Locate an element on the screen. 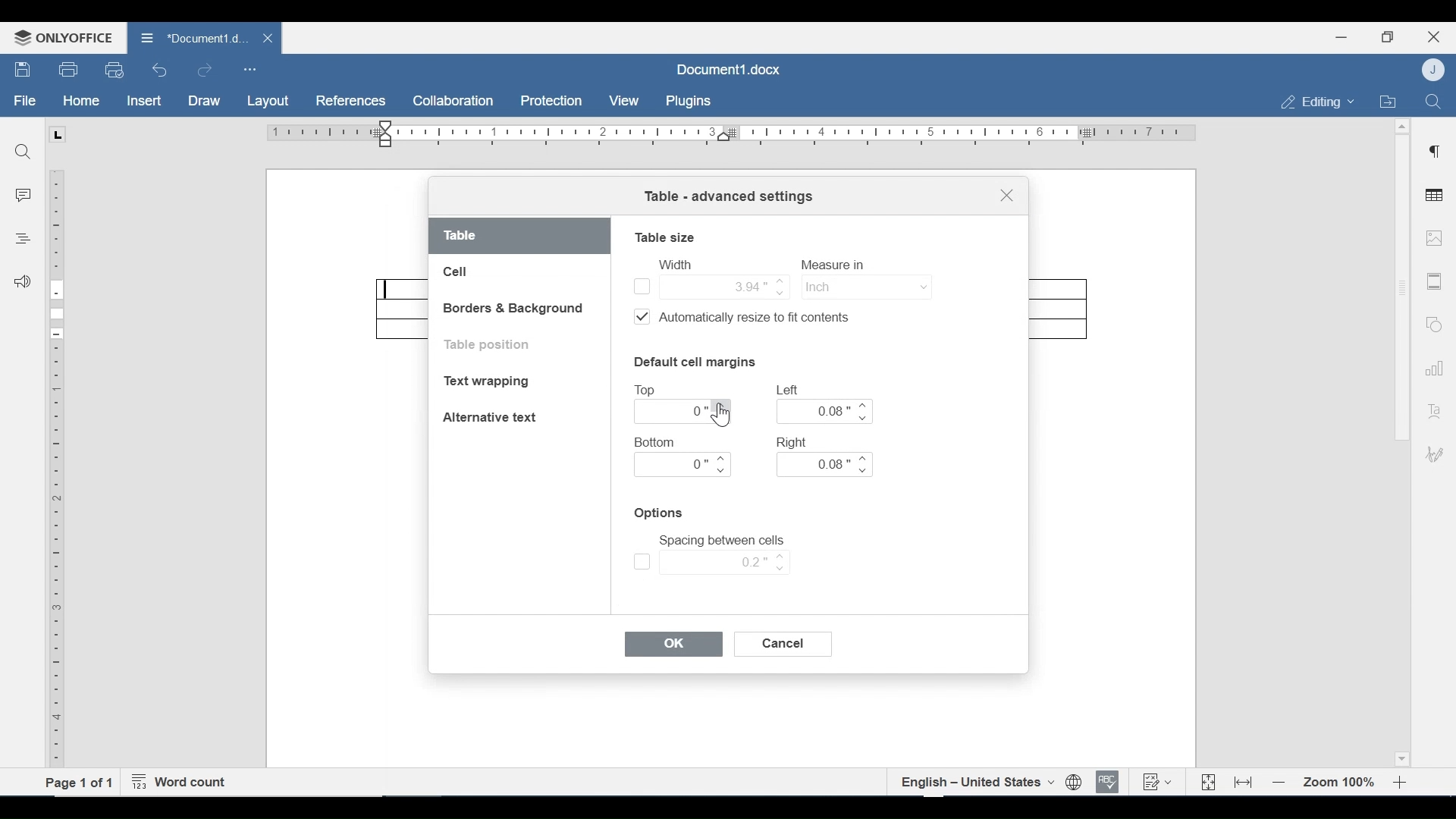 This screenshot has height=819, width=1456. Table position is located at coordinates (491, 345).